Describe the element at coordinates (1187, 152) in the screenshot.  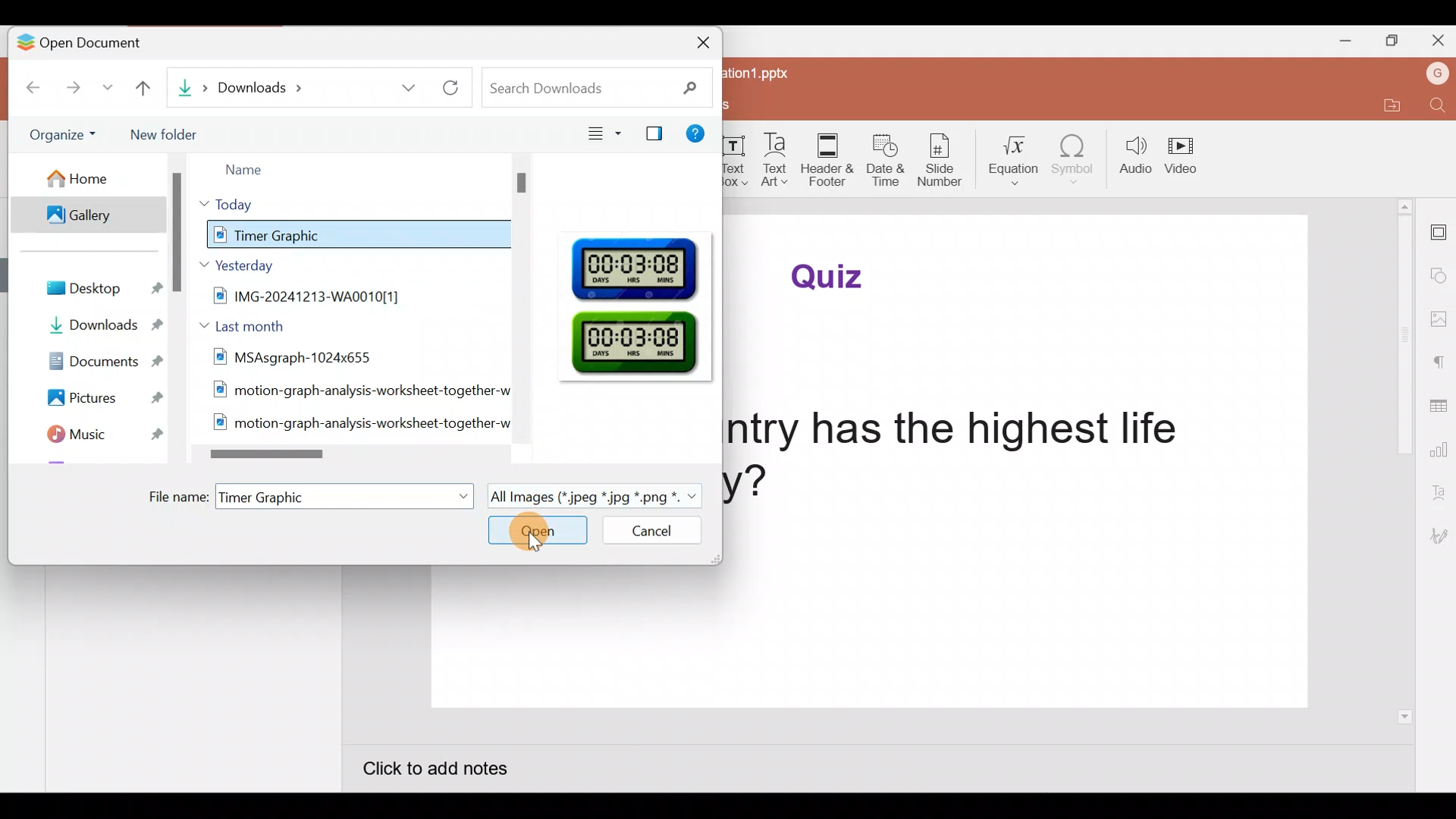
I see `Video` at that location.